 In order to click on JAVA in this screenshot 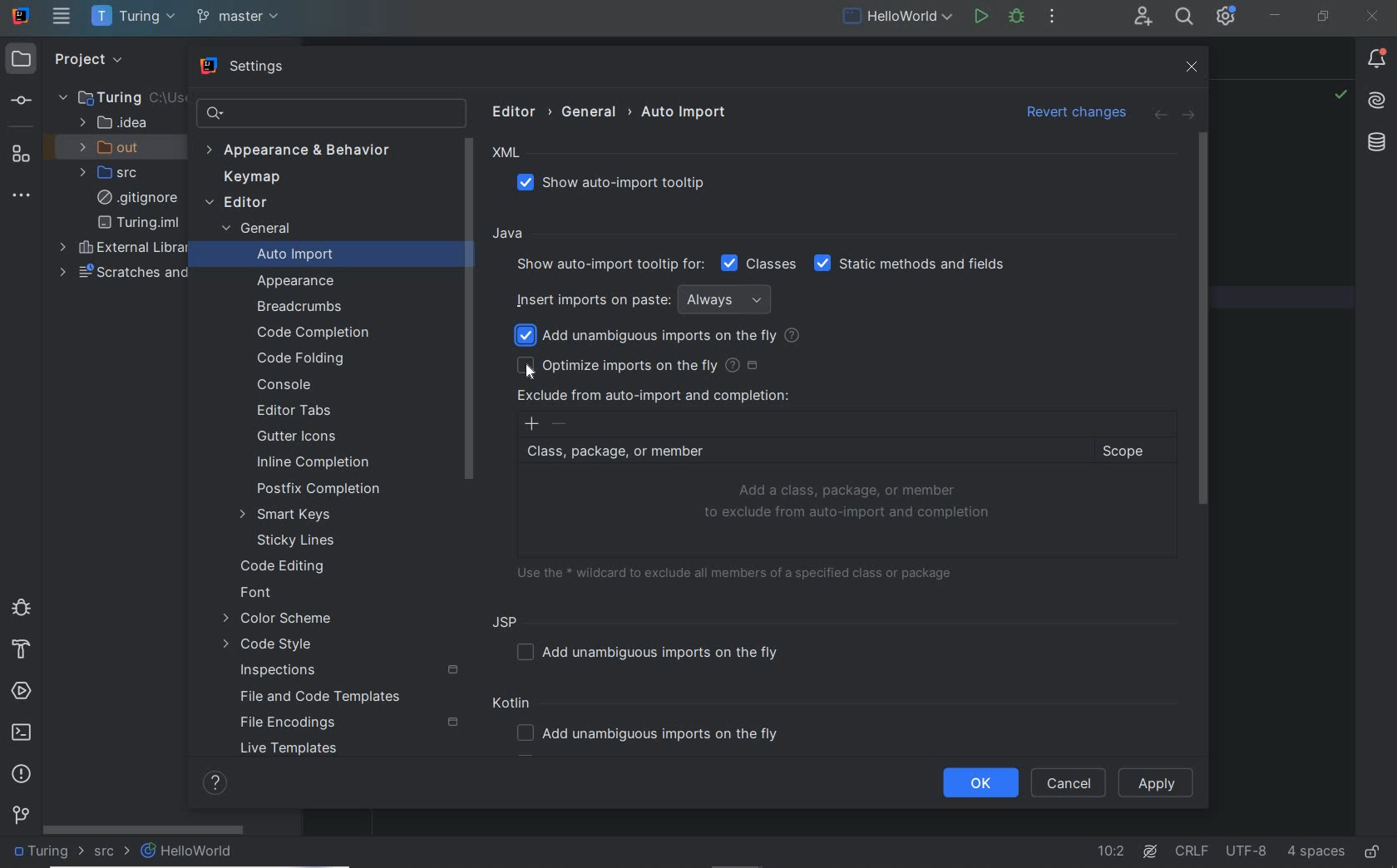, I will do `click(511, 234)`.